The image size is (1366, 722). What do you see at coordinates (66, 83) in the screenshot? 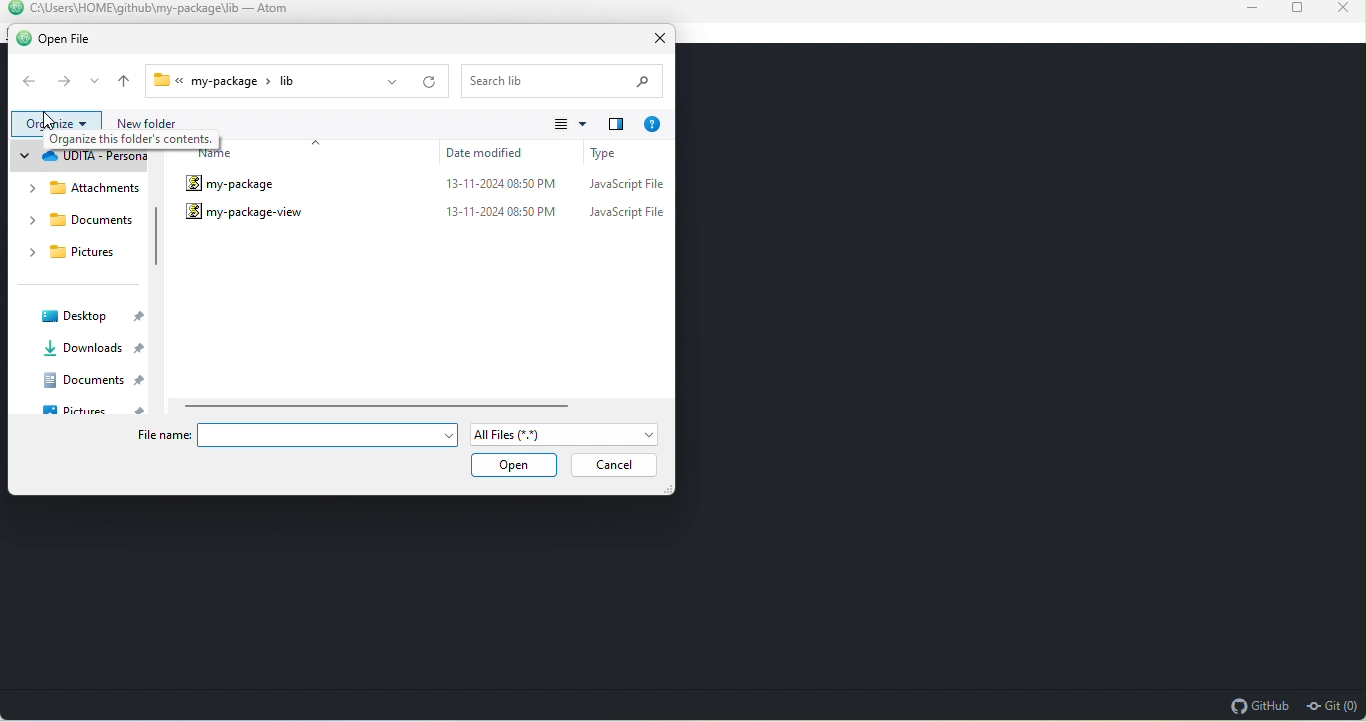
I see `forward` at bounding box center [66, 83].